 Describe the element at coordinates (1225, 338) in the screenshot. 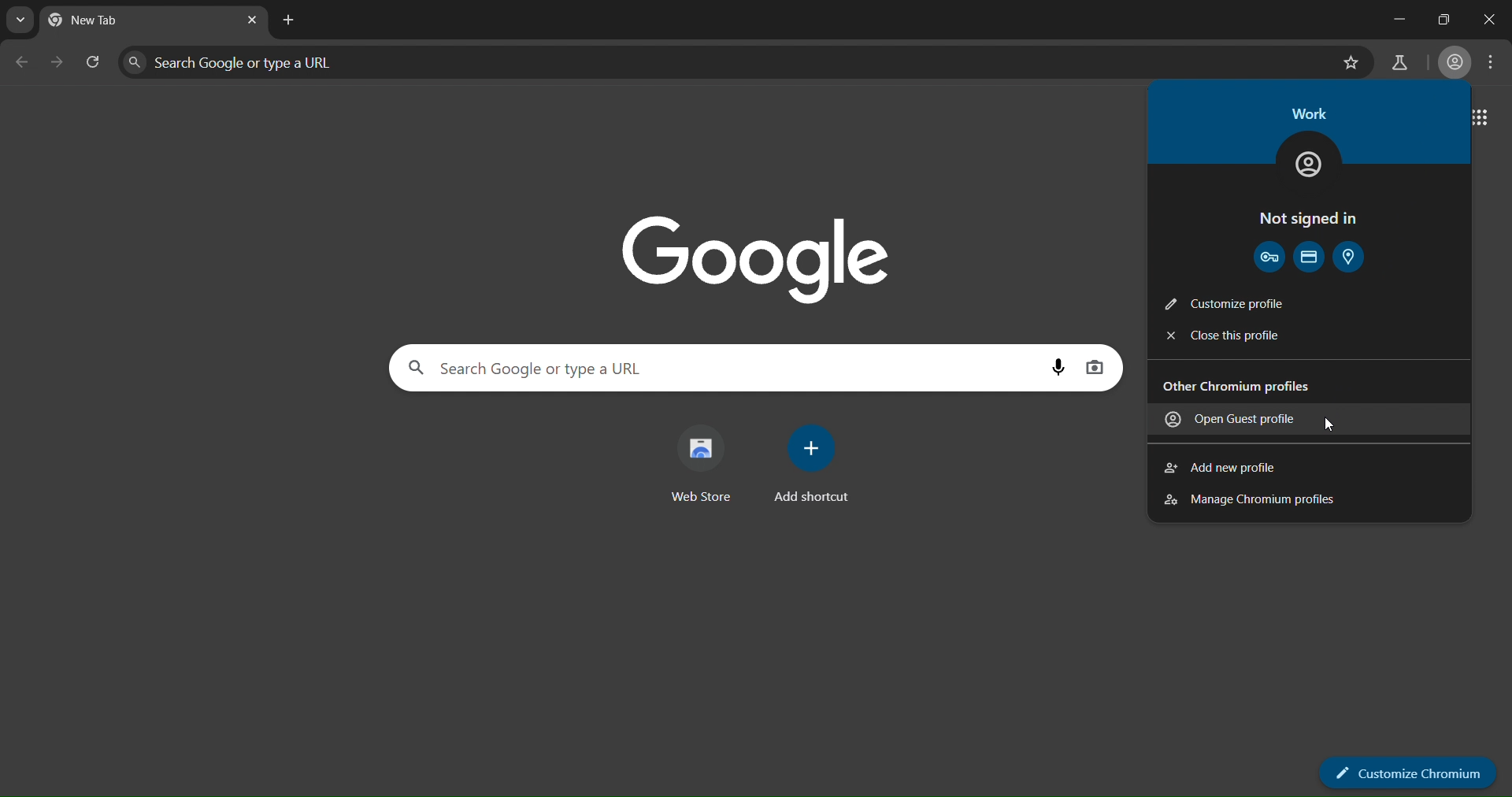

I see `close this profile` at that location.